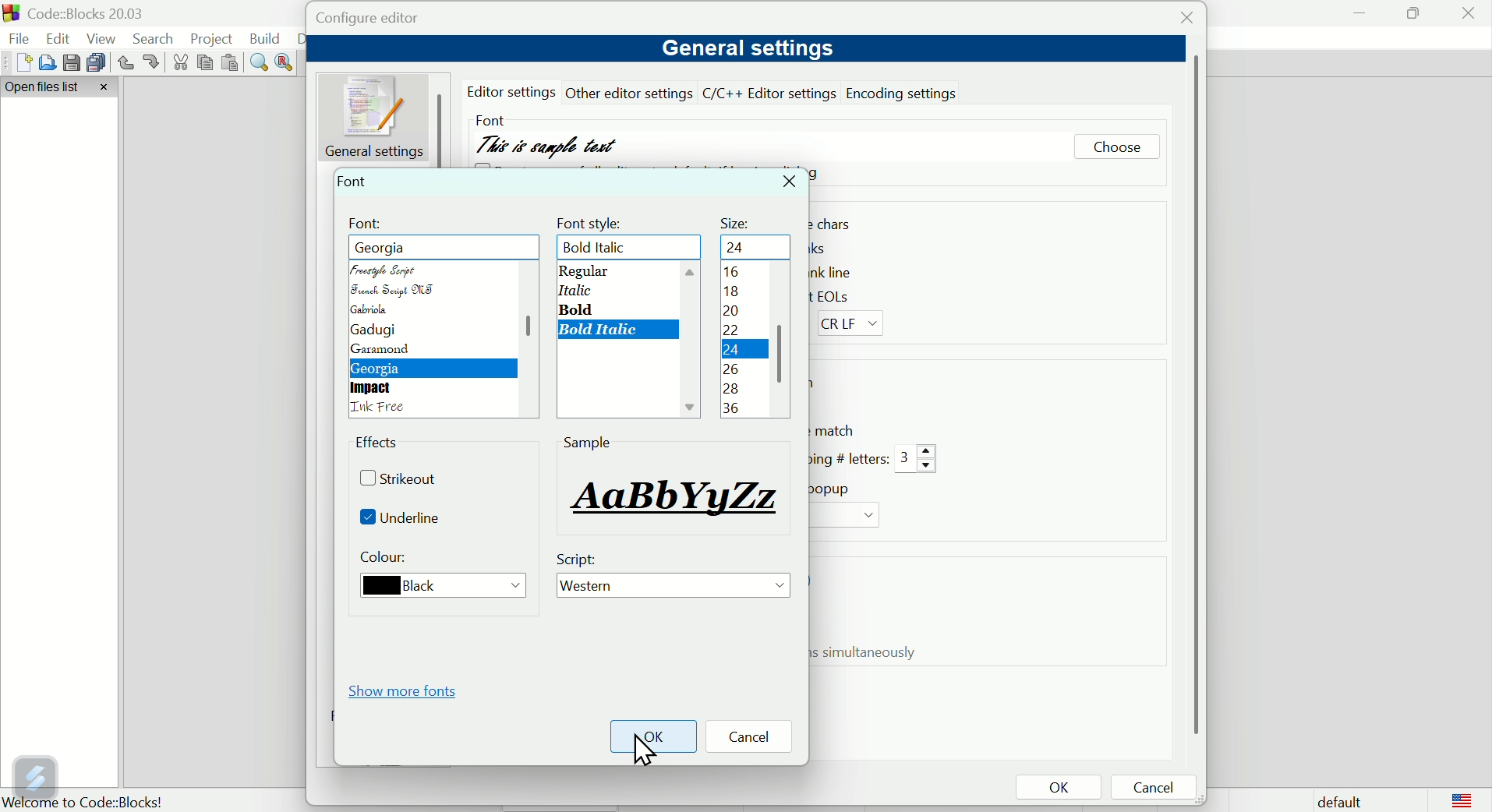  What do you see at coordinates (514, 92) in the screenshot?
I see `editor settings` at bounding box center [514, 92].